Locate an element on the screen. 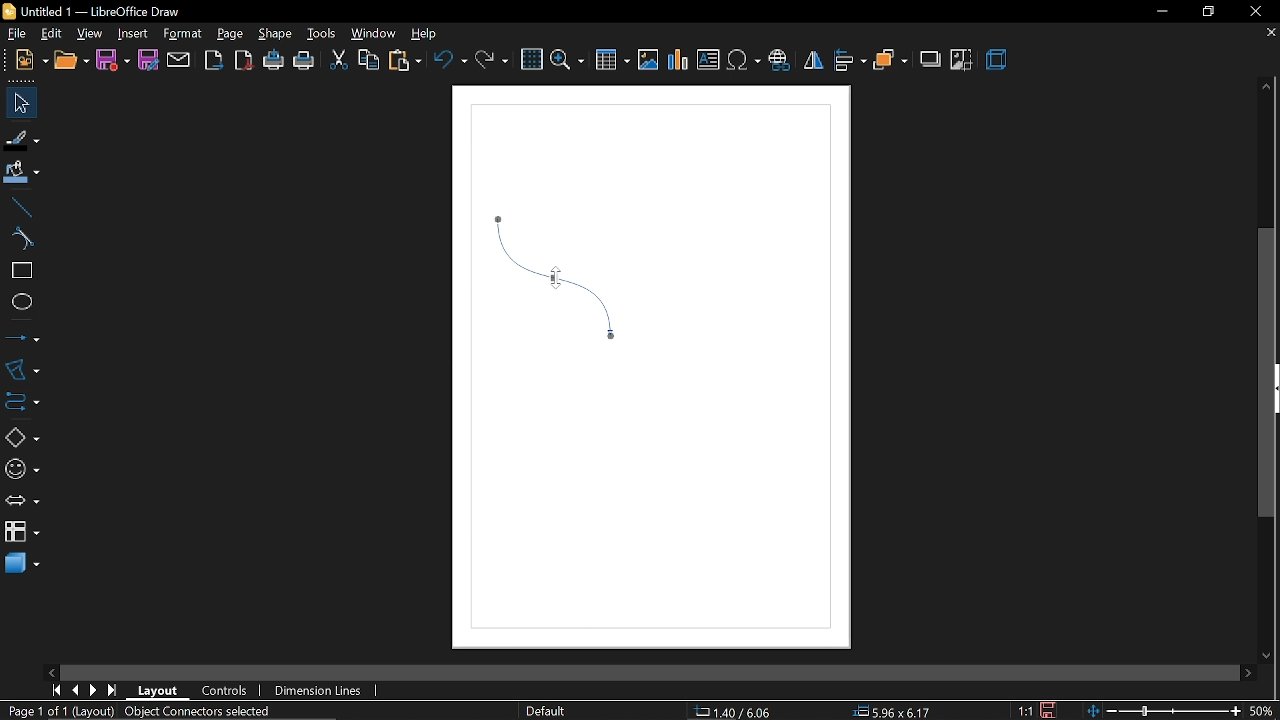  Default is located at coordinates (546, 712).